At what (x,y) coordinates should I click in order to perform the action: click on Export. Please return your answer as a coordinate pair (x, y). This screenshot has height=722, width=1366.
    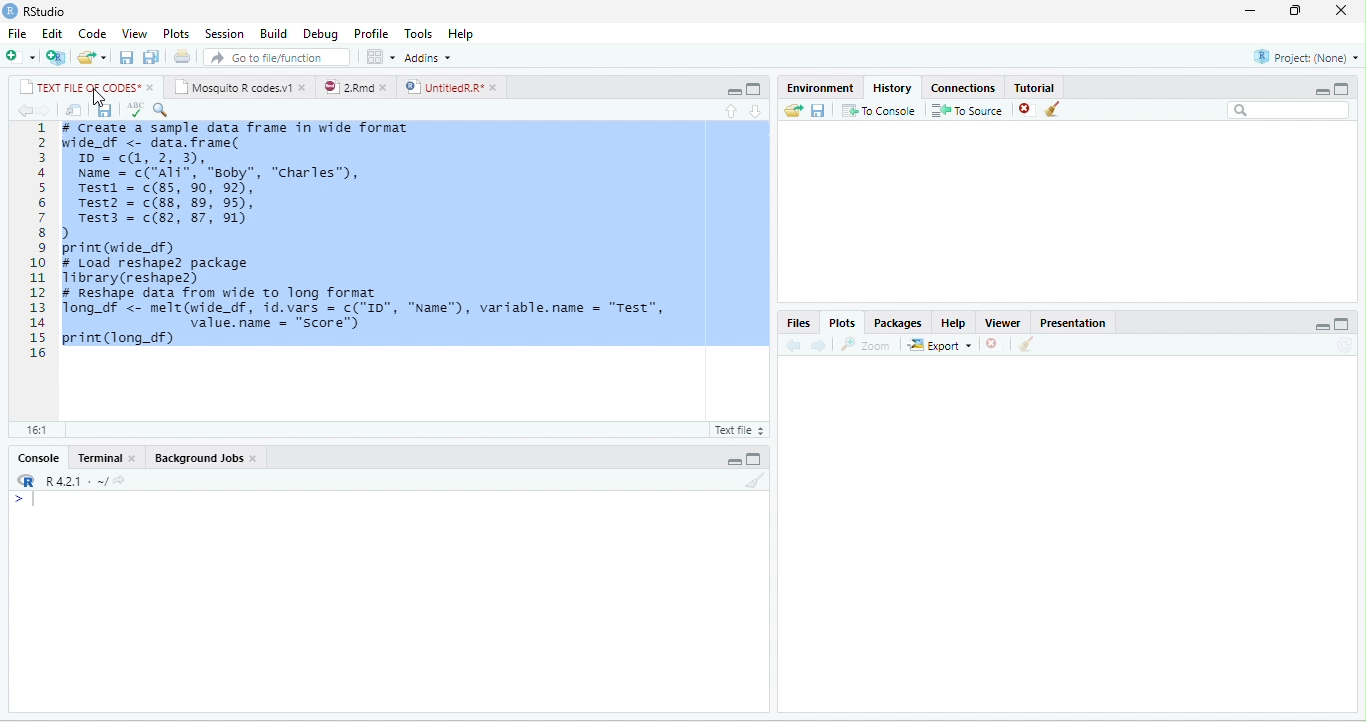
    Looking at the image, I should click on (940, 344).